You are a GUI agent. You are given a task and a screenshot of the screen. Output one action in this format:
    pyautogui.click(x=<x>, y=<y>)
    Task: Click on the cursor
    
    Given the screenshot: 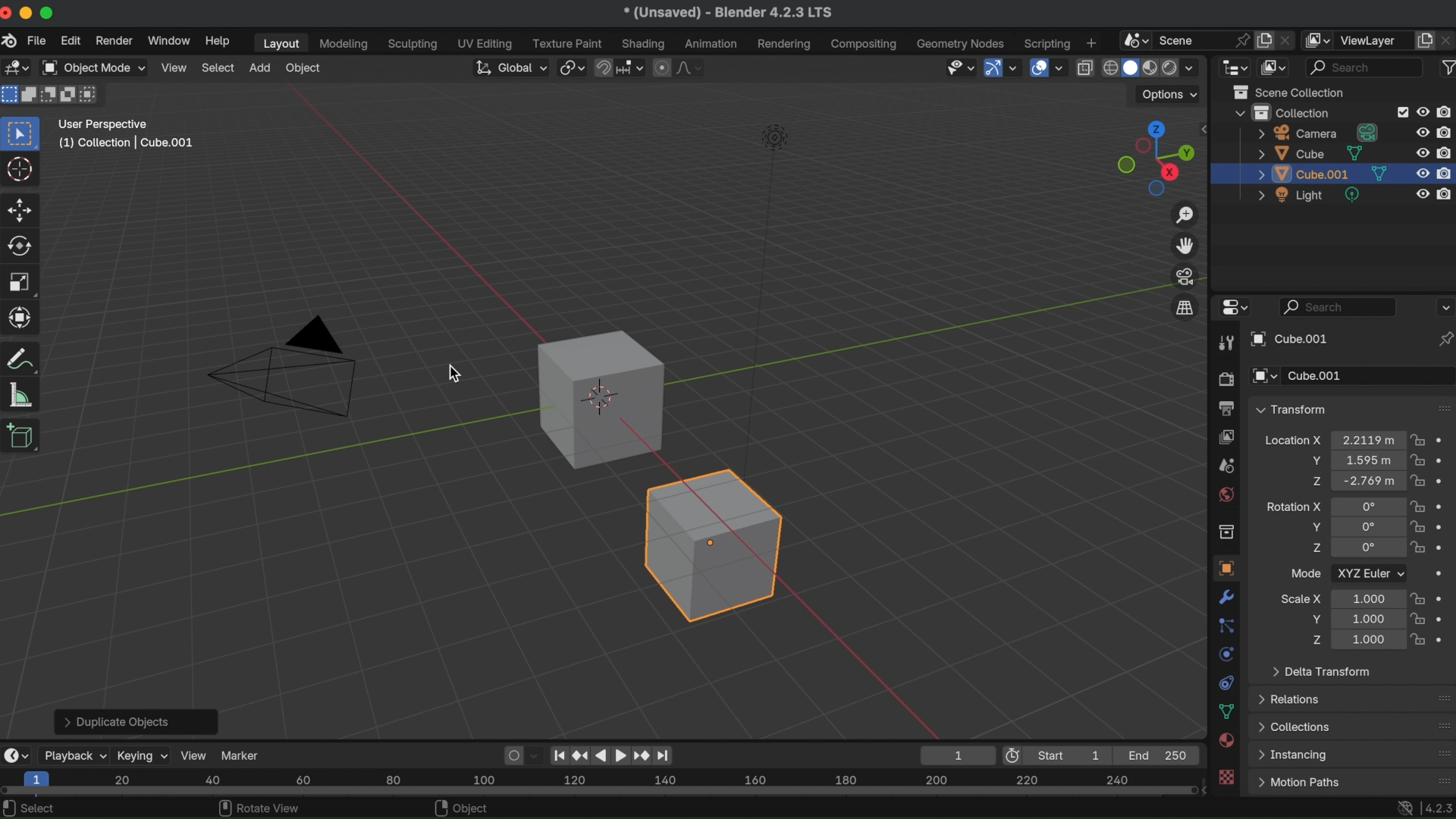 What is the action you would take?
    pyautogui.click(x=453, y=374)
    